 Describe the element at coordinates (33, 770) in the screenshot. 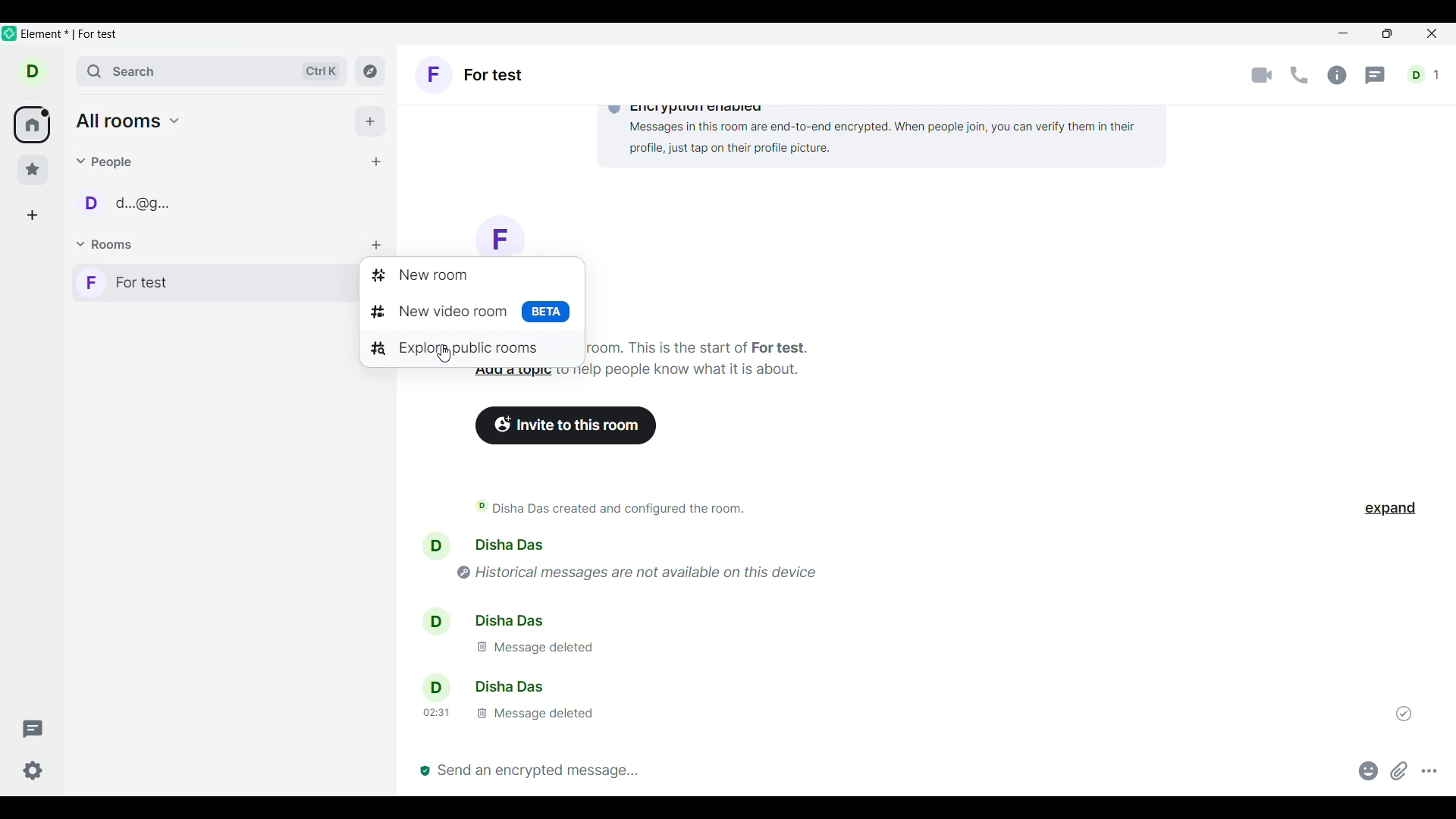

I see `quick settings` at that location.